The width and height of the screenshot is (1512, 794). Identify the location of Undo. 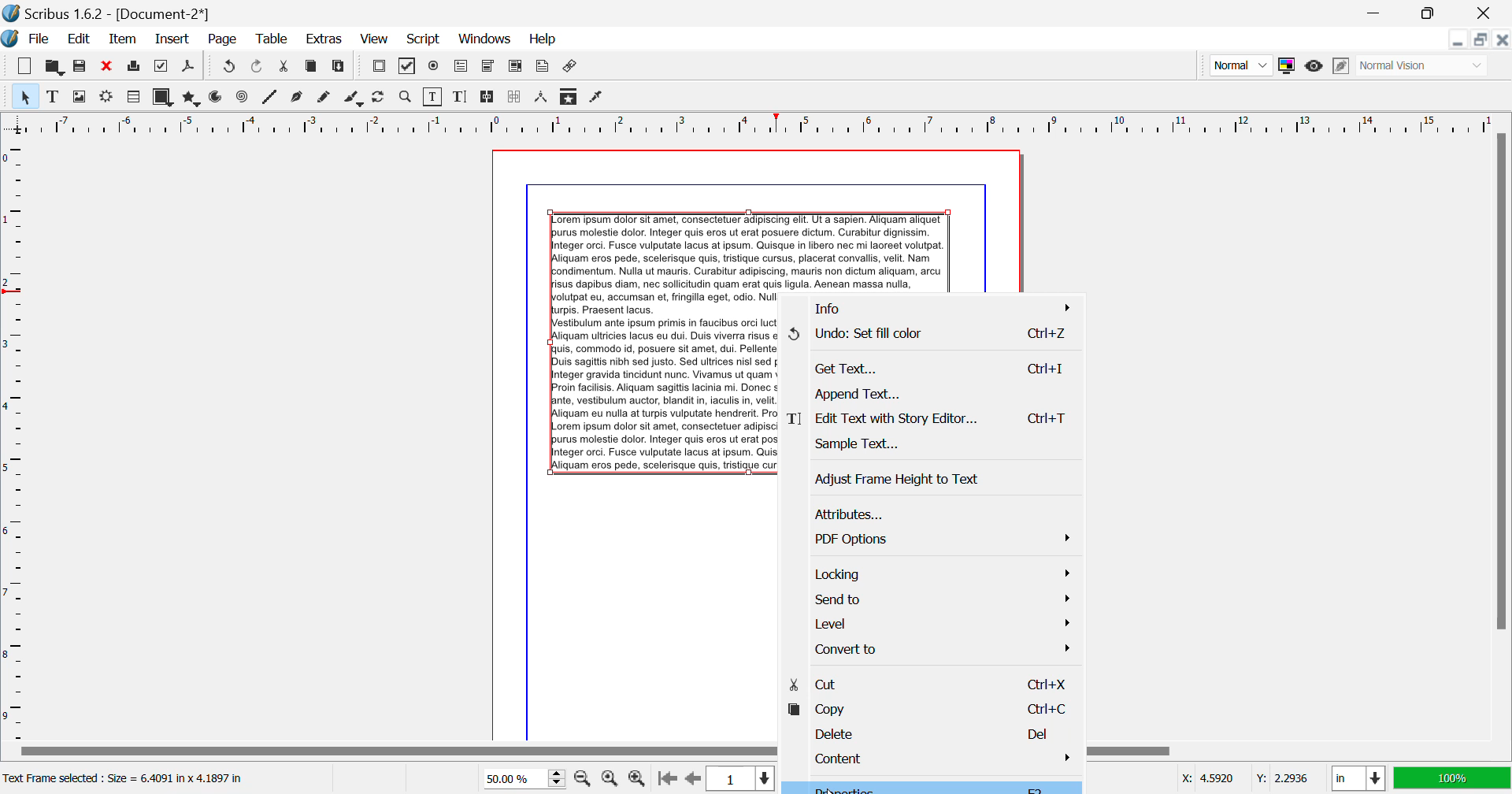
(259, 68).